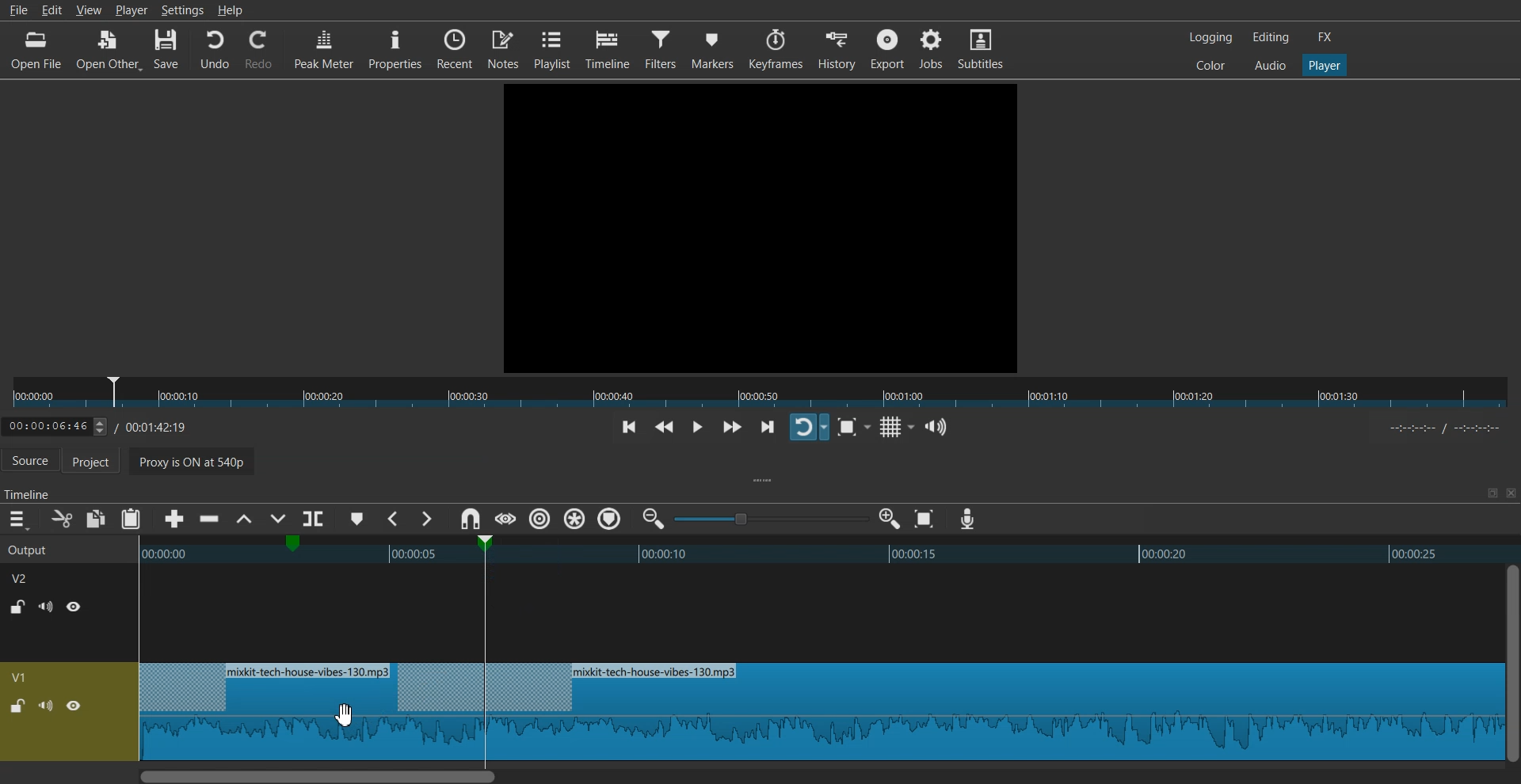  Describe the element at coordinates (809, 427) in the screenshot. I see `Toggle player lopping` at that location.